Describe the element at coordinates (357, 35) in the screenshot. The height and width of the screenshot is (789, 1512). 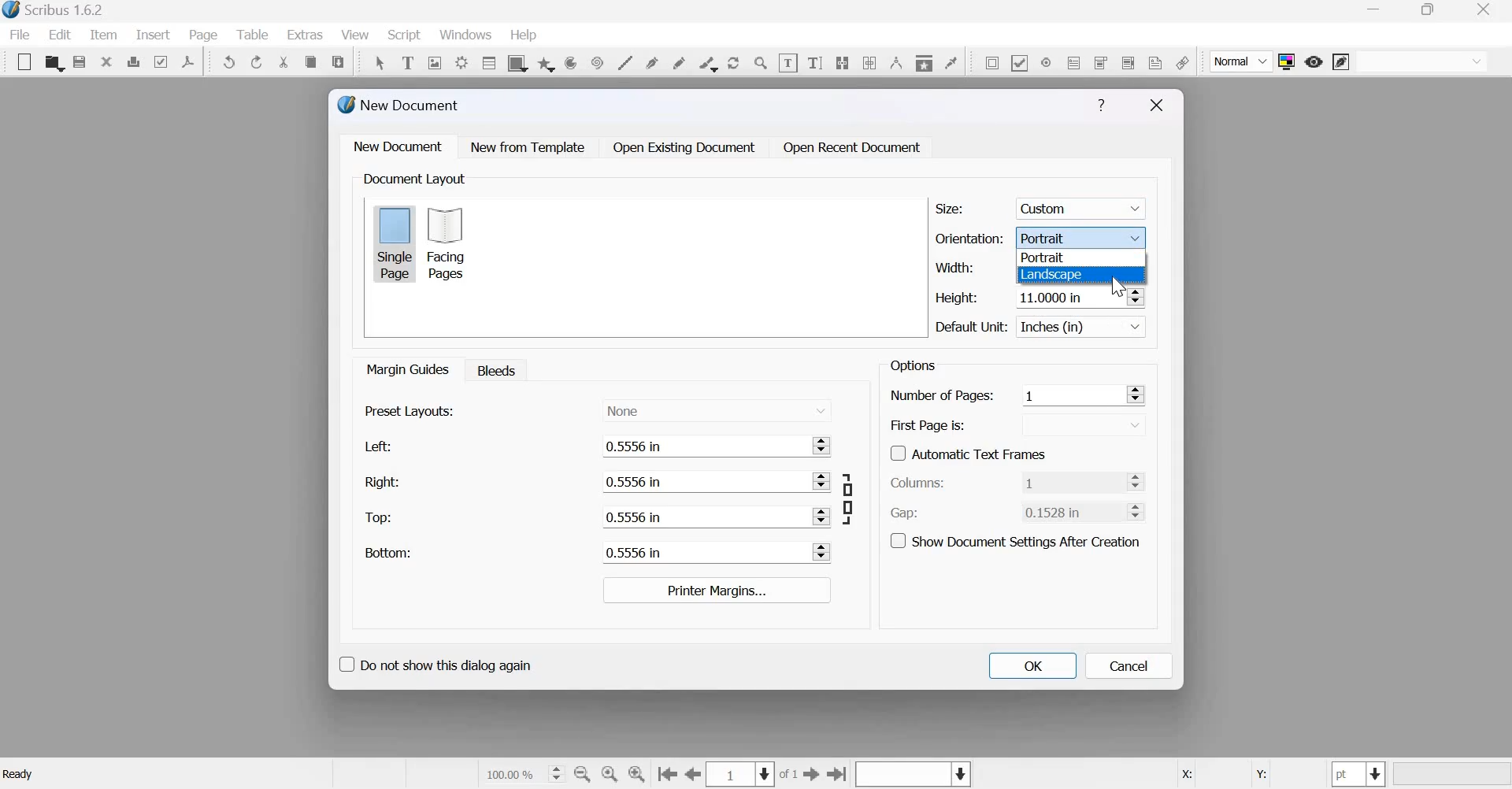
I see `View` at that location.